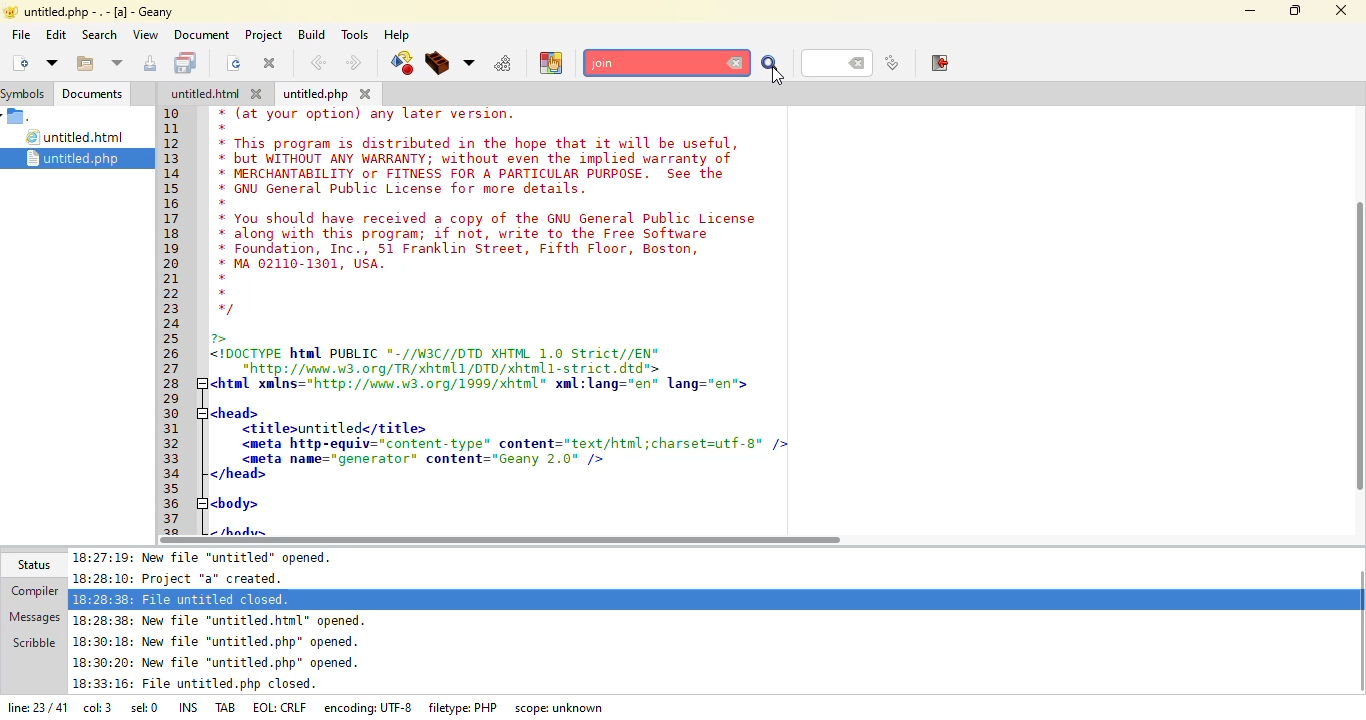  I want to click on open from templates, so click(52, 62).